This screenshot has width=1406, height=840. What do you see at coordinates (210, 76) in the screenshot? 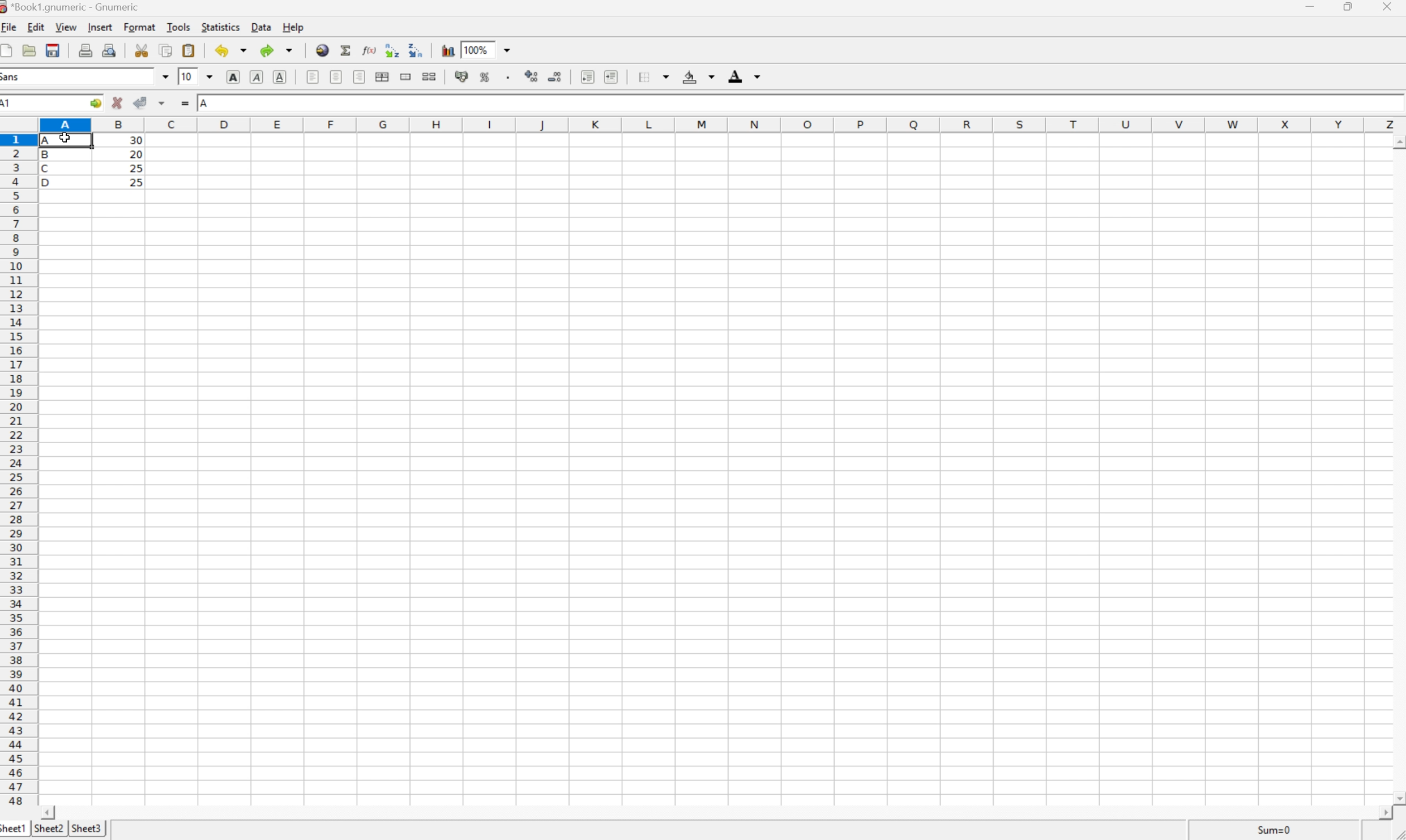
I see `Drop Down` at bounding box center [210, 76].